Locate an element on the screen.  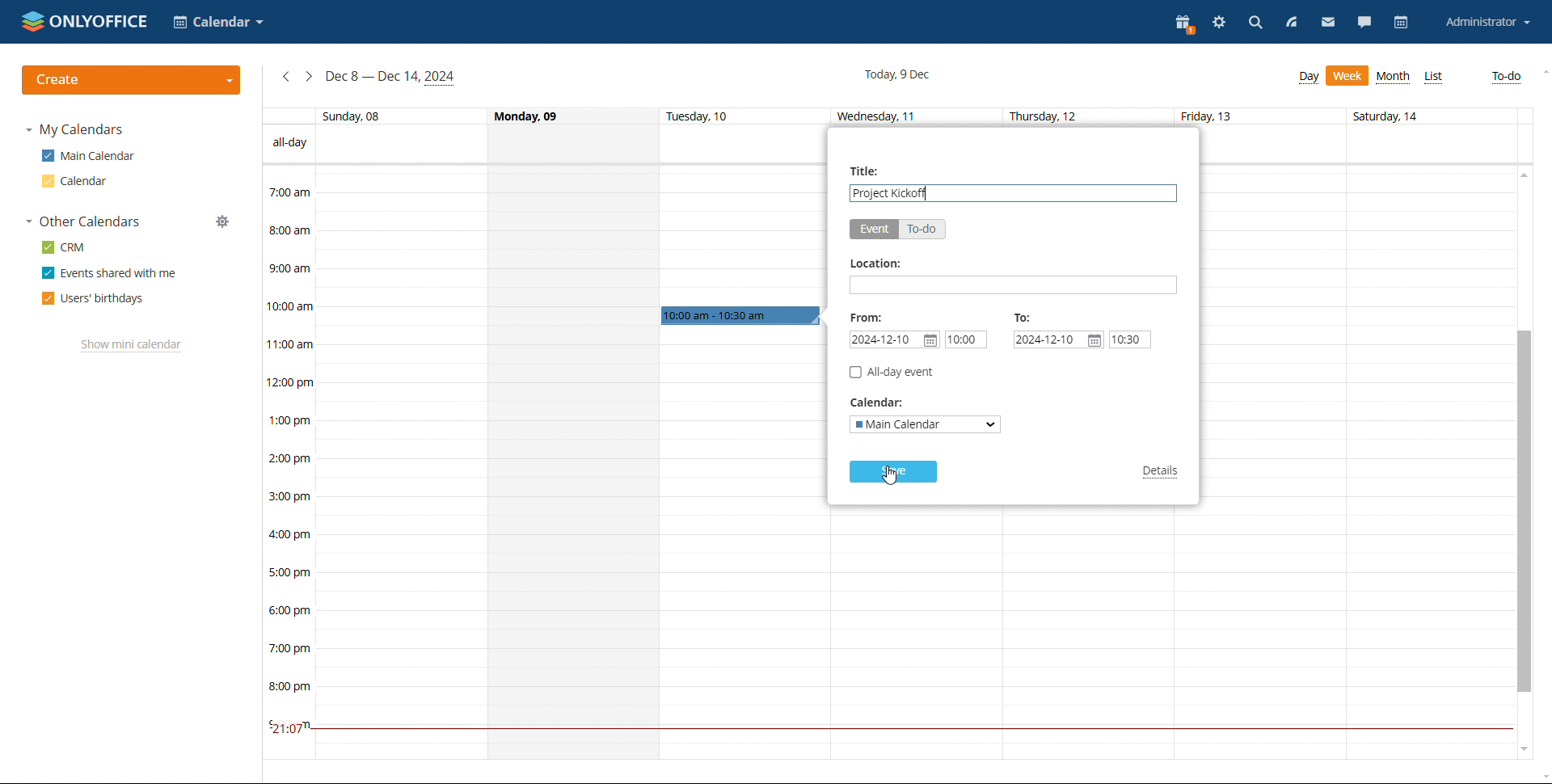
my calendars is located at coordinates (74, 130).